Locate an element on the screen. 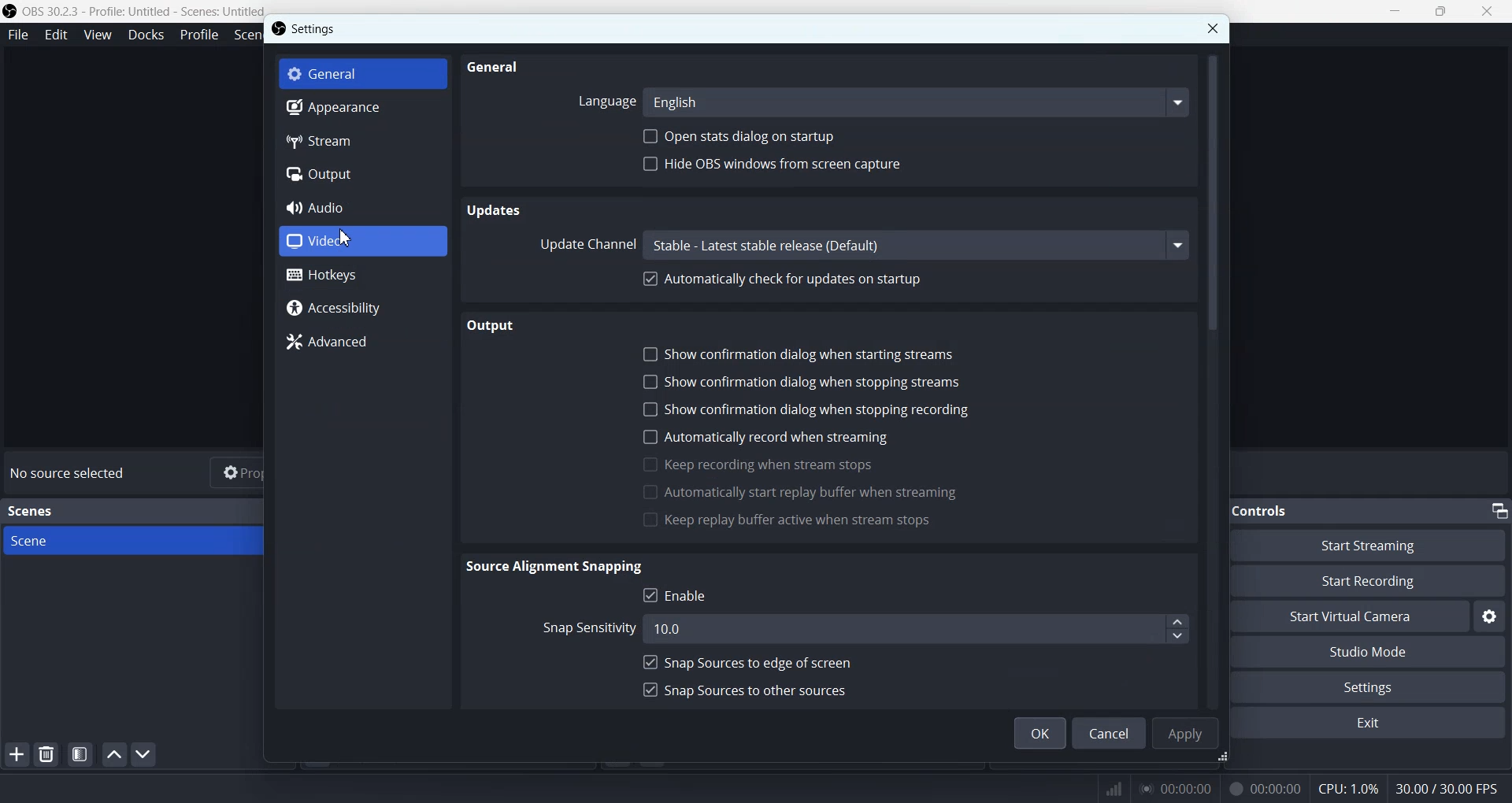  Move scene up is located at coordinates (114, 754).